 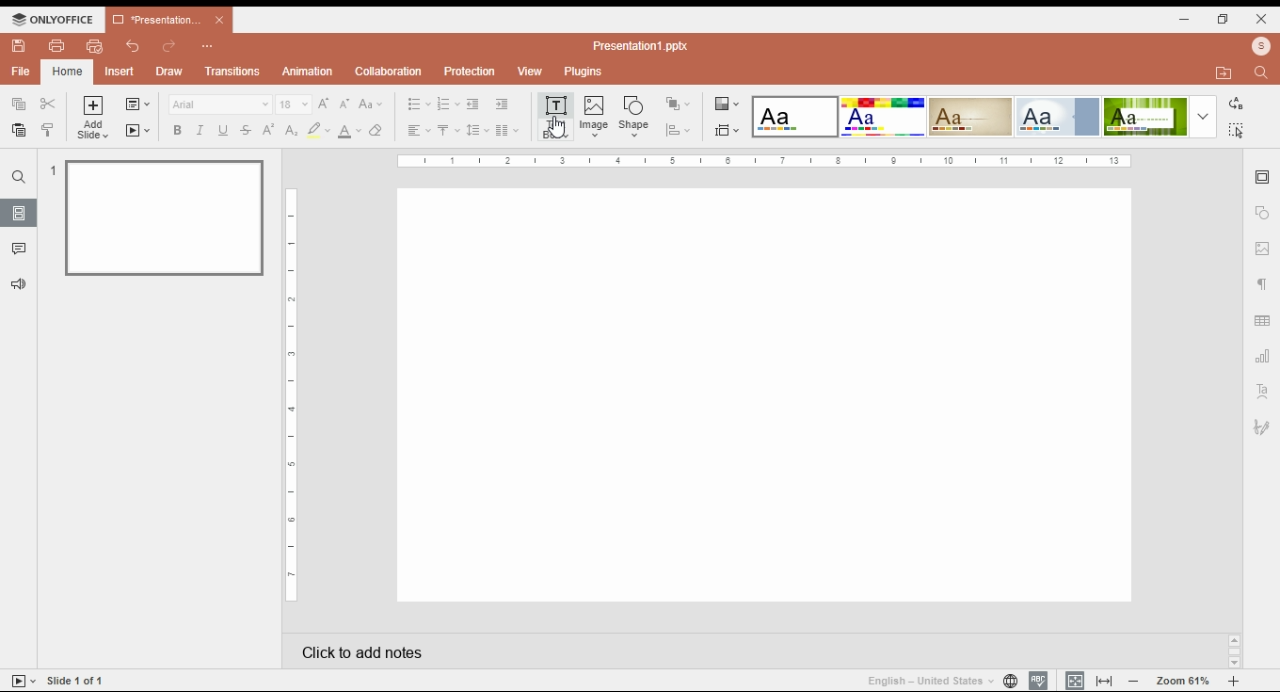 What do you see at coordinates (54, 19) in the screenshot?
I see `ONLYOFFICE` at bounding box center [54, 19].